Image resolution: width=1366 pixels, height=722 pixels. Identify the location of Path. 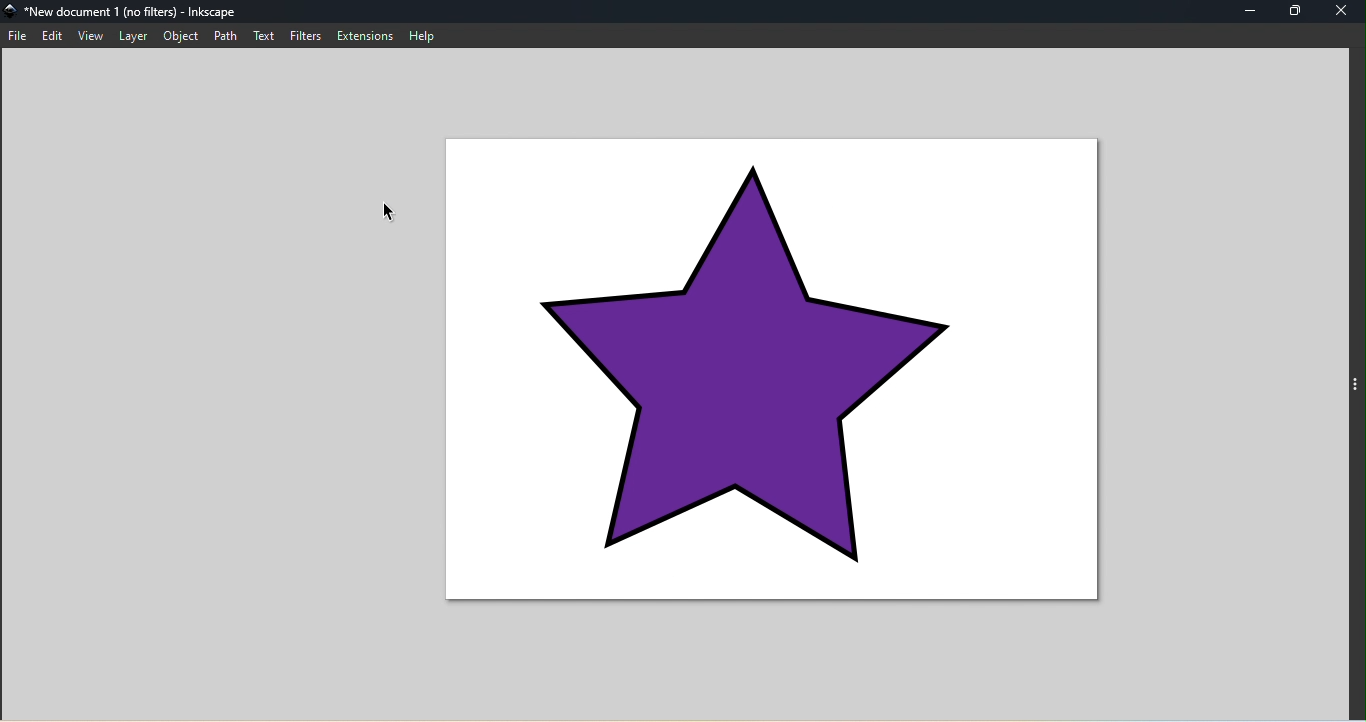
(224, 36).